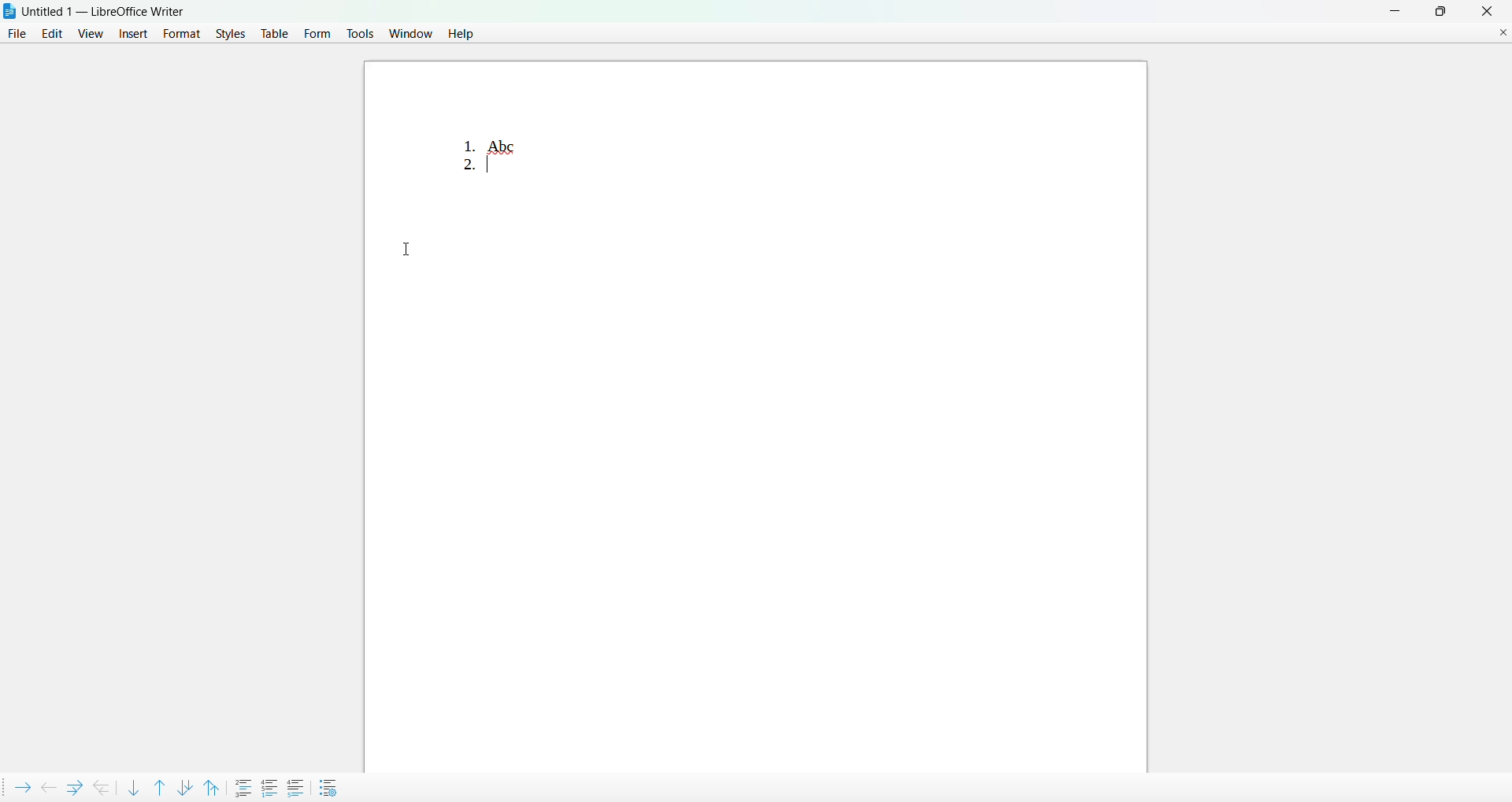 The width and height of the screenshot is (1512, 802). I want to click on bullets and numbering, so click(331, 787).